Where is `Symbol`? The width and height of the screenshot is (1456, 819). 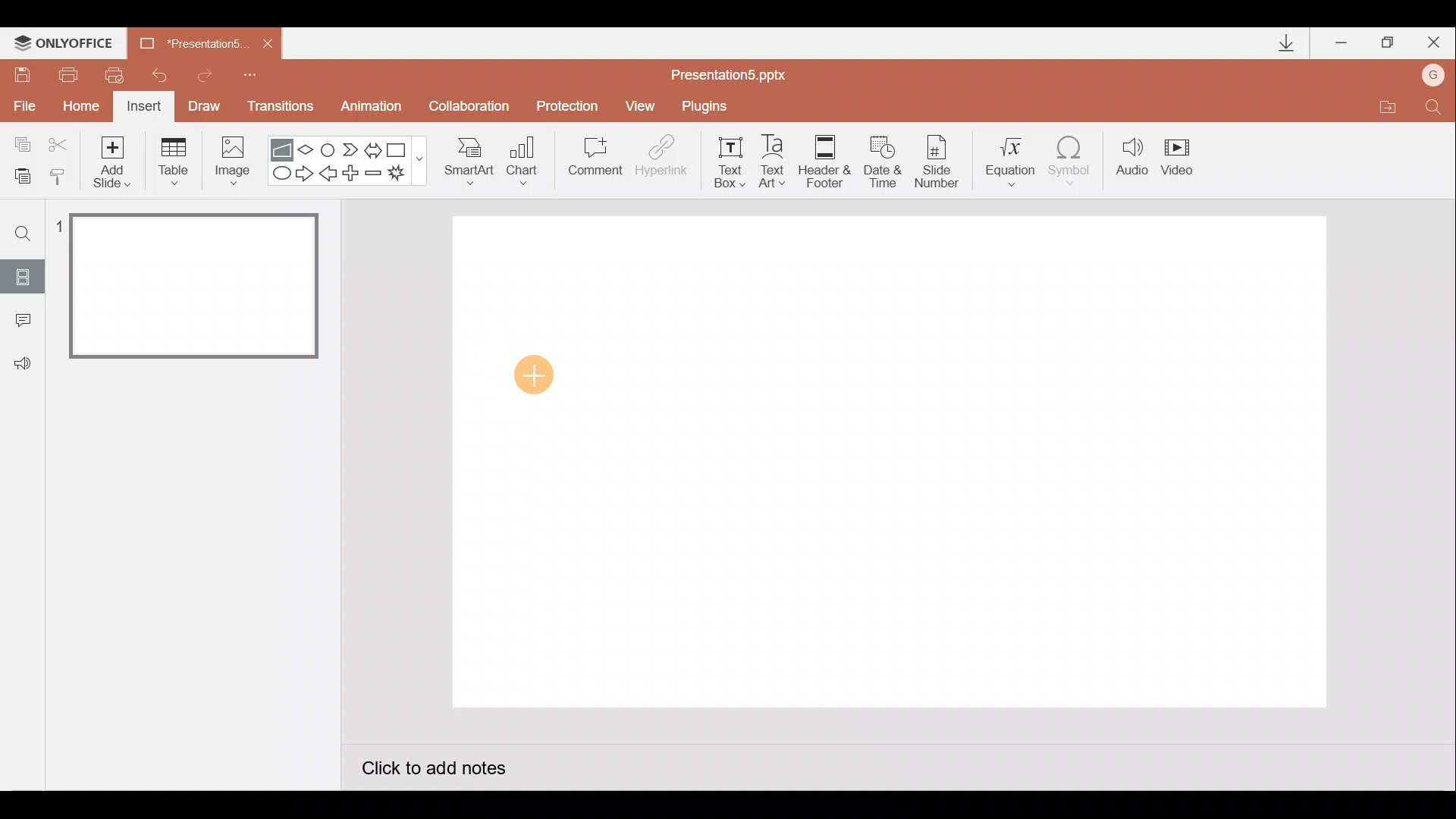 Symbol is located at coordinates (1075, 160).